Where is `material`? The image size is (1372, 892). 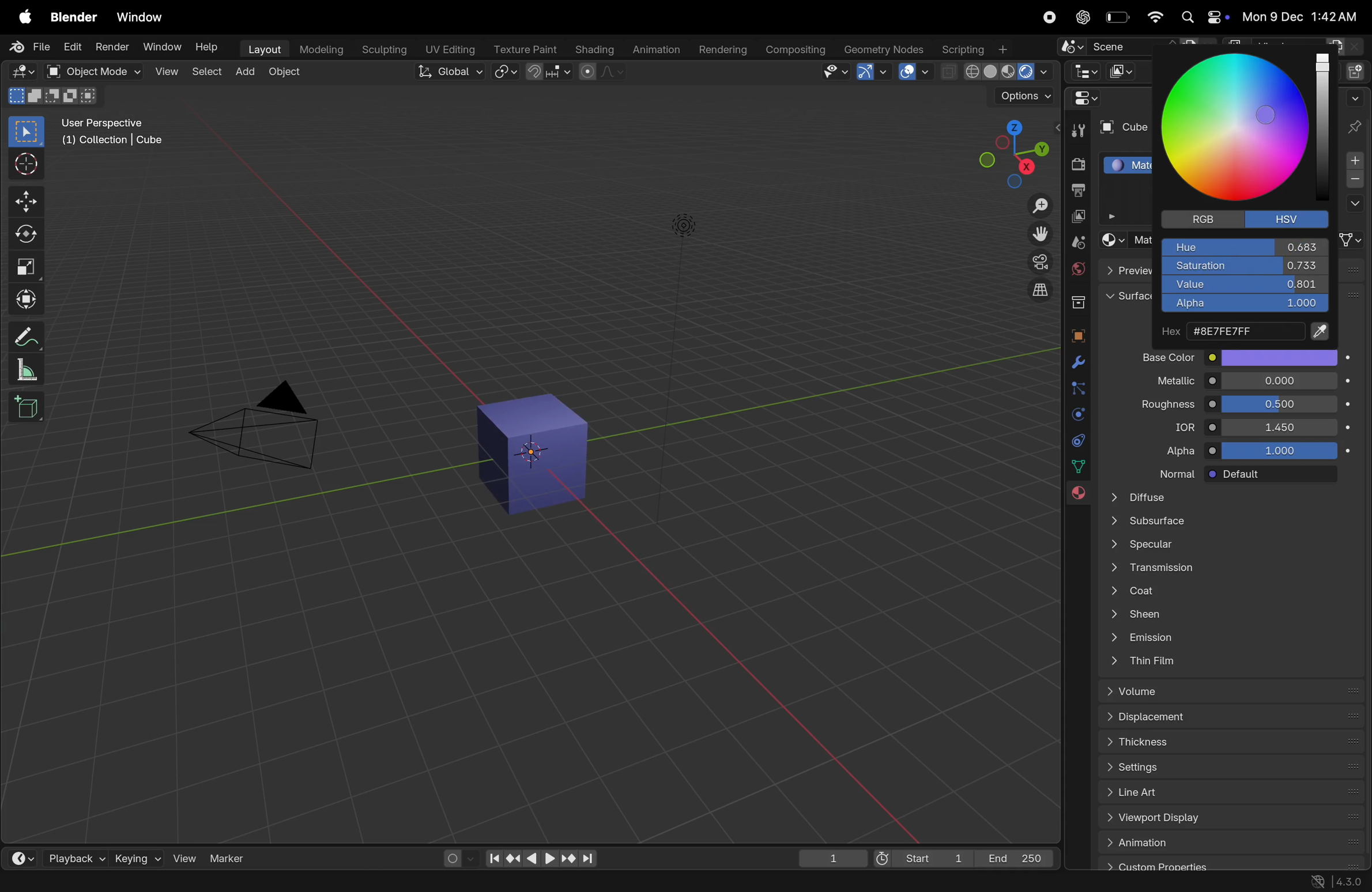
material is located at coordinates (1077, 497).